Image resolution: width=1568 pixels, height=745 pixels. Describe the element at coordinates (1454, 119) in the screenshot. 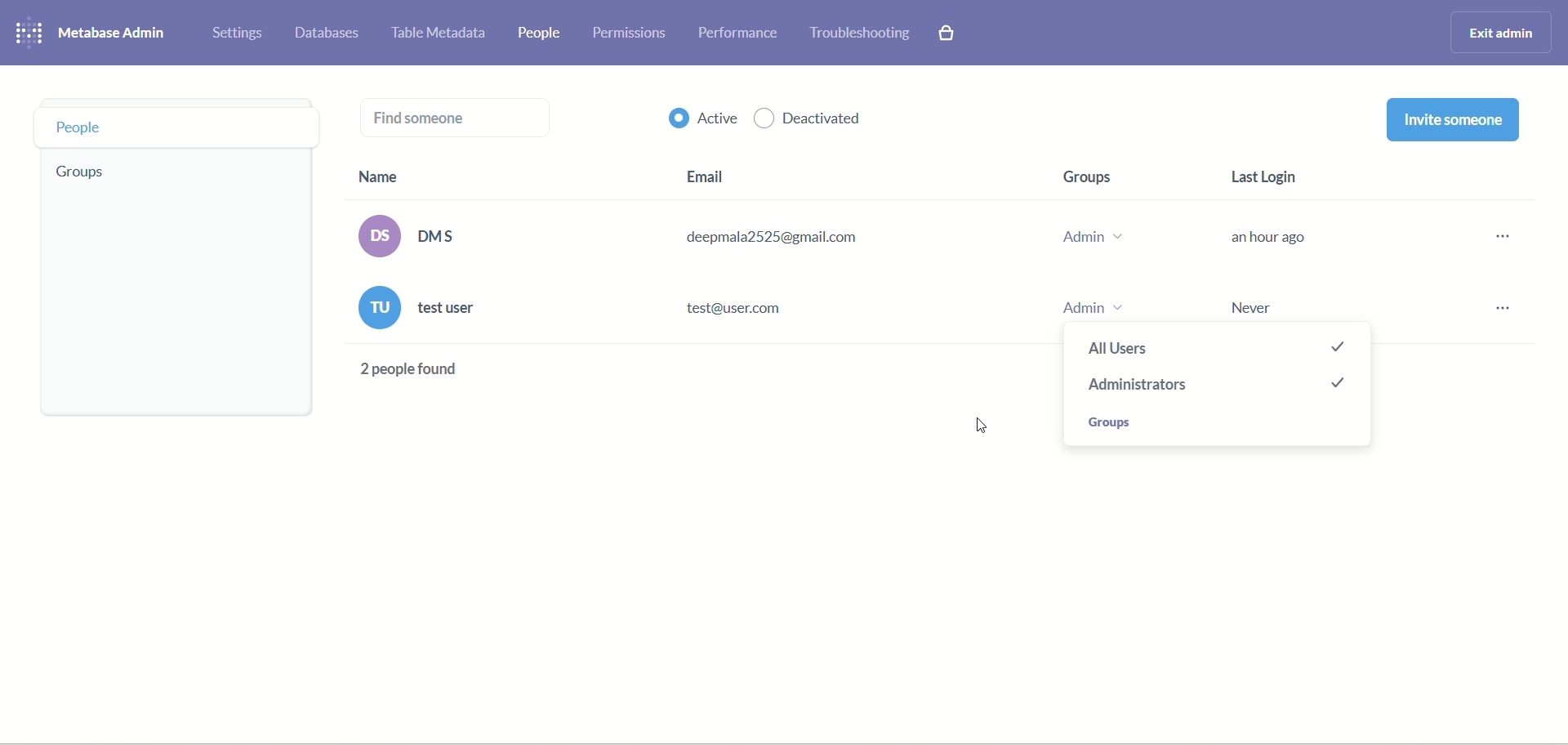

I see `invite someone` at that location.